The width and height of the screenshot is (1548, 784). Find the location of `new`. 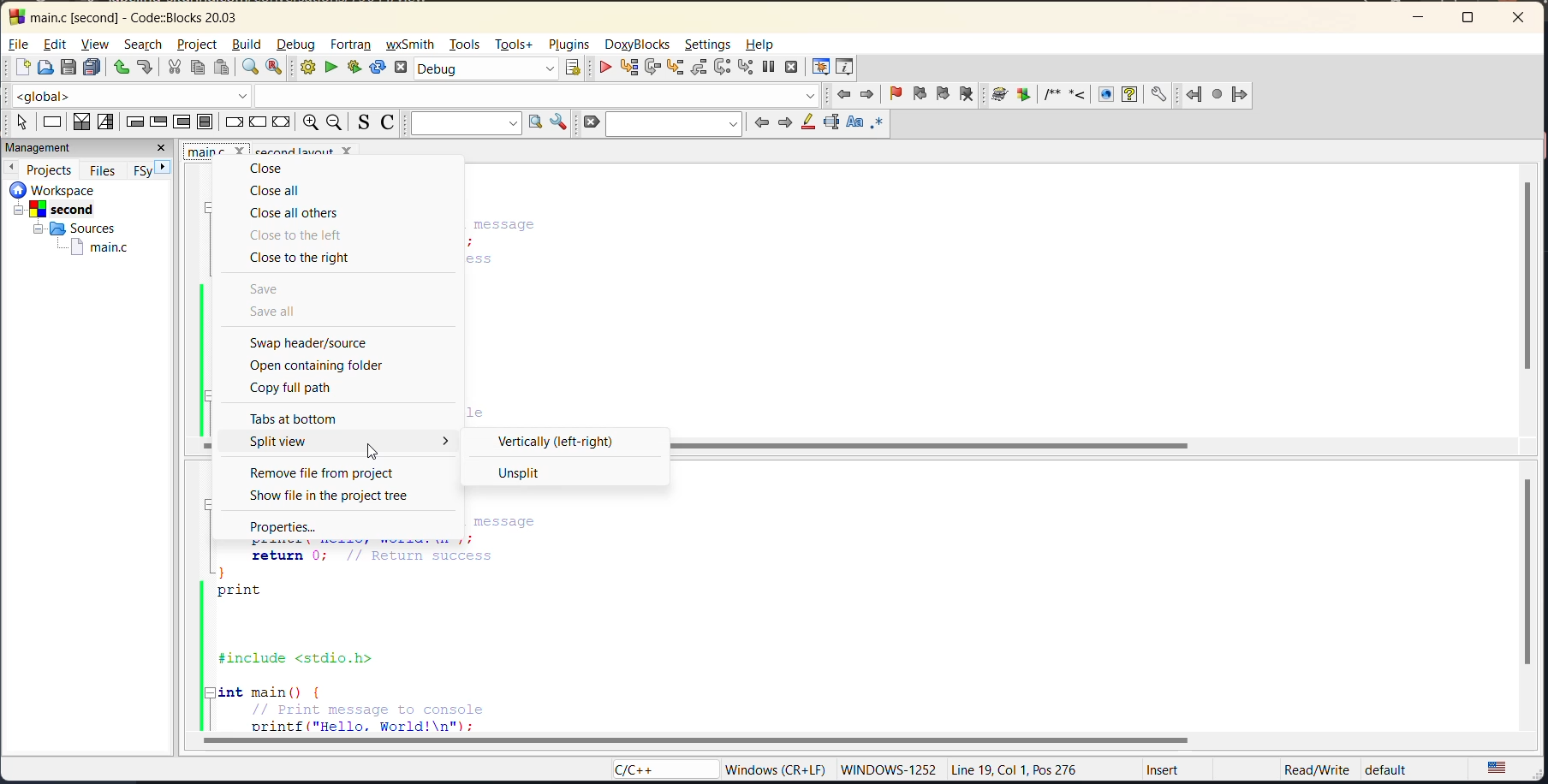

new is located at coordinates (21, 68).